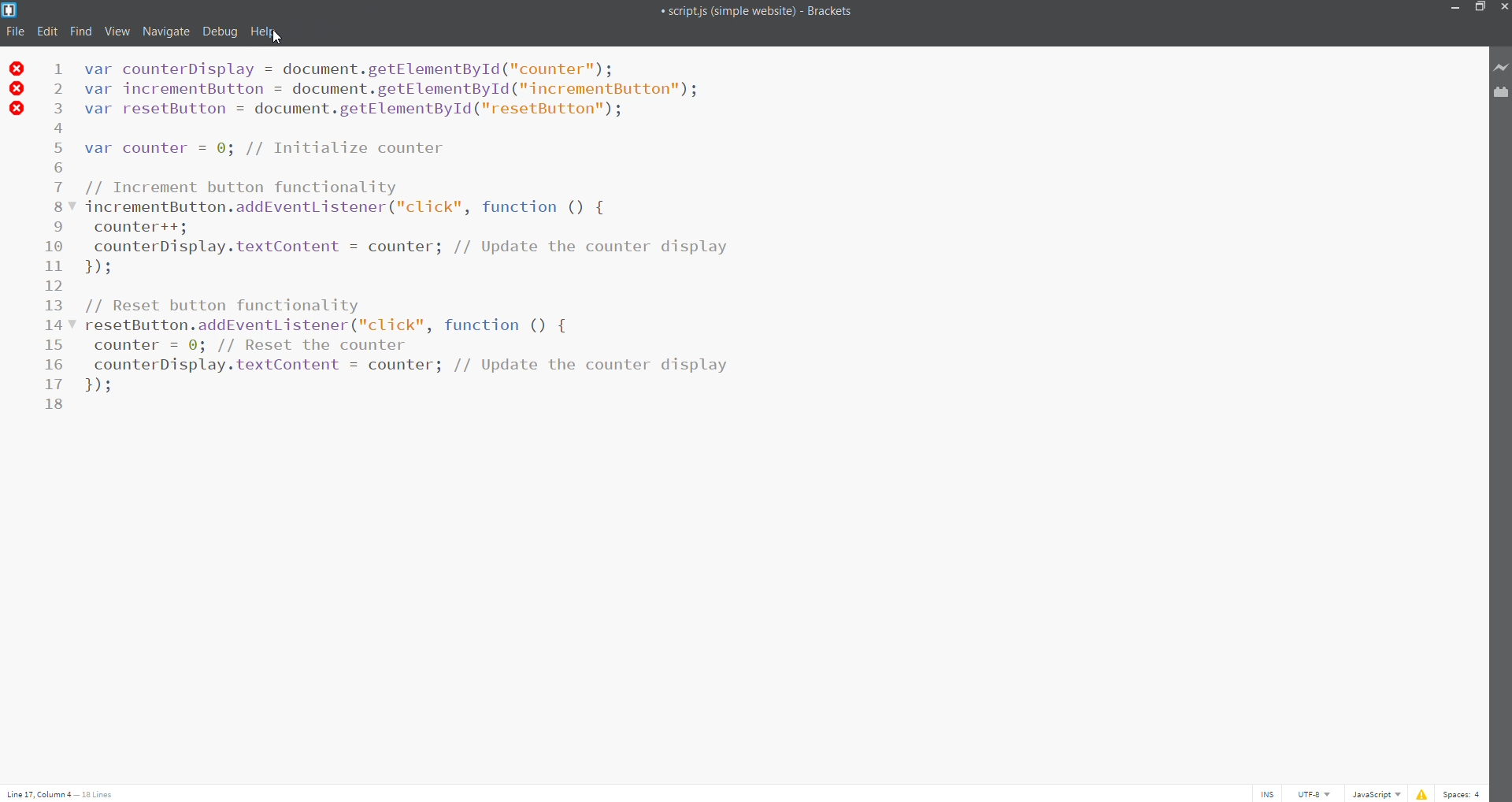 The height and width of the screenshot is (802, 1512). Describe the element at coordinates (1502, 69) in the screenshot. I see `live preview` at that location.